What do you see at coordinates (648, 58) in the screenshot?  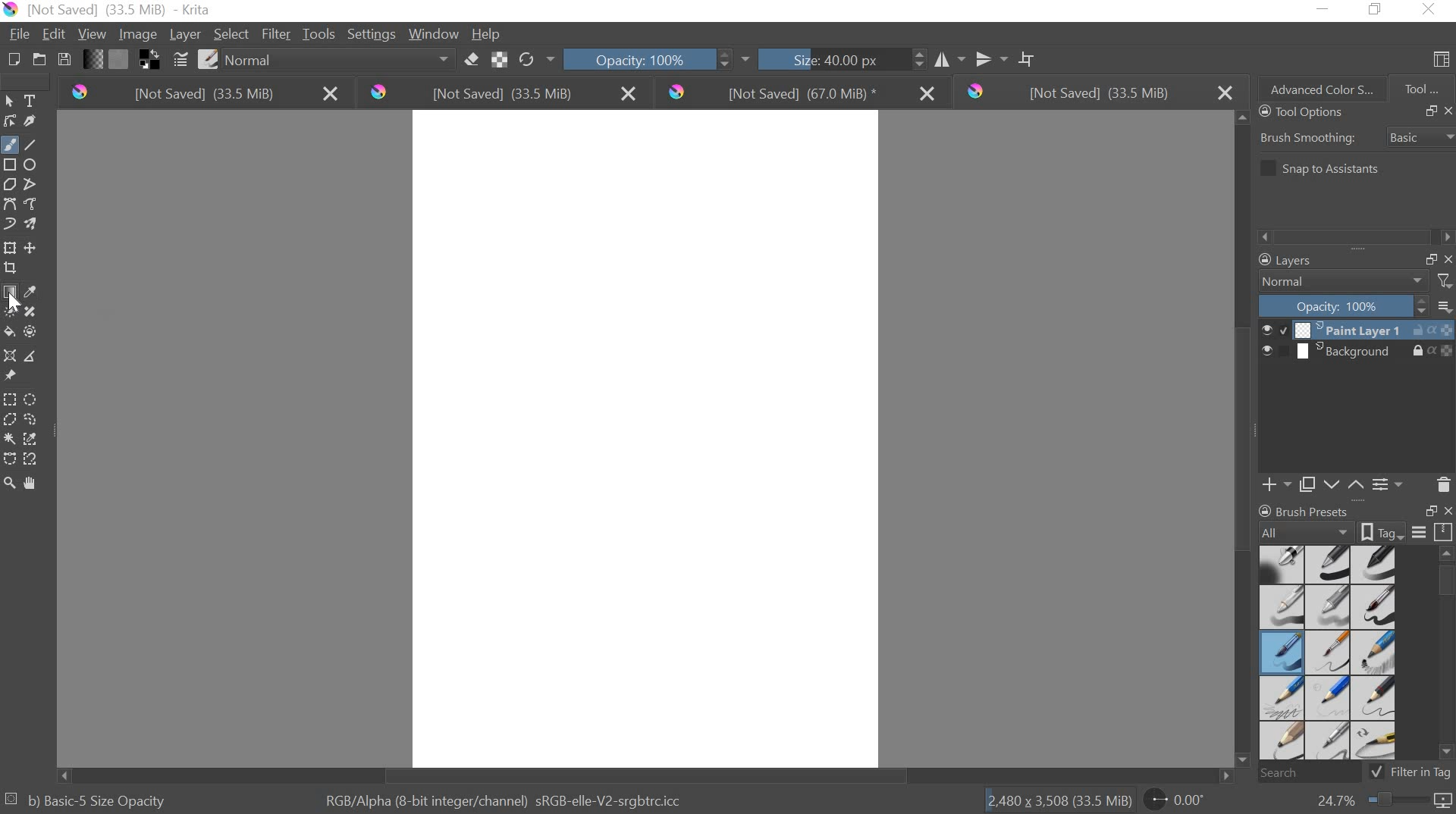 I see `OPACITY 100%` at bounding box center [648, 58].